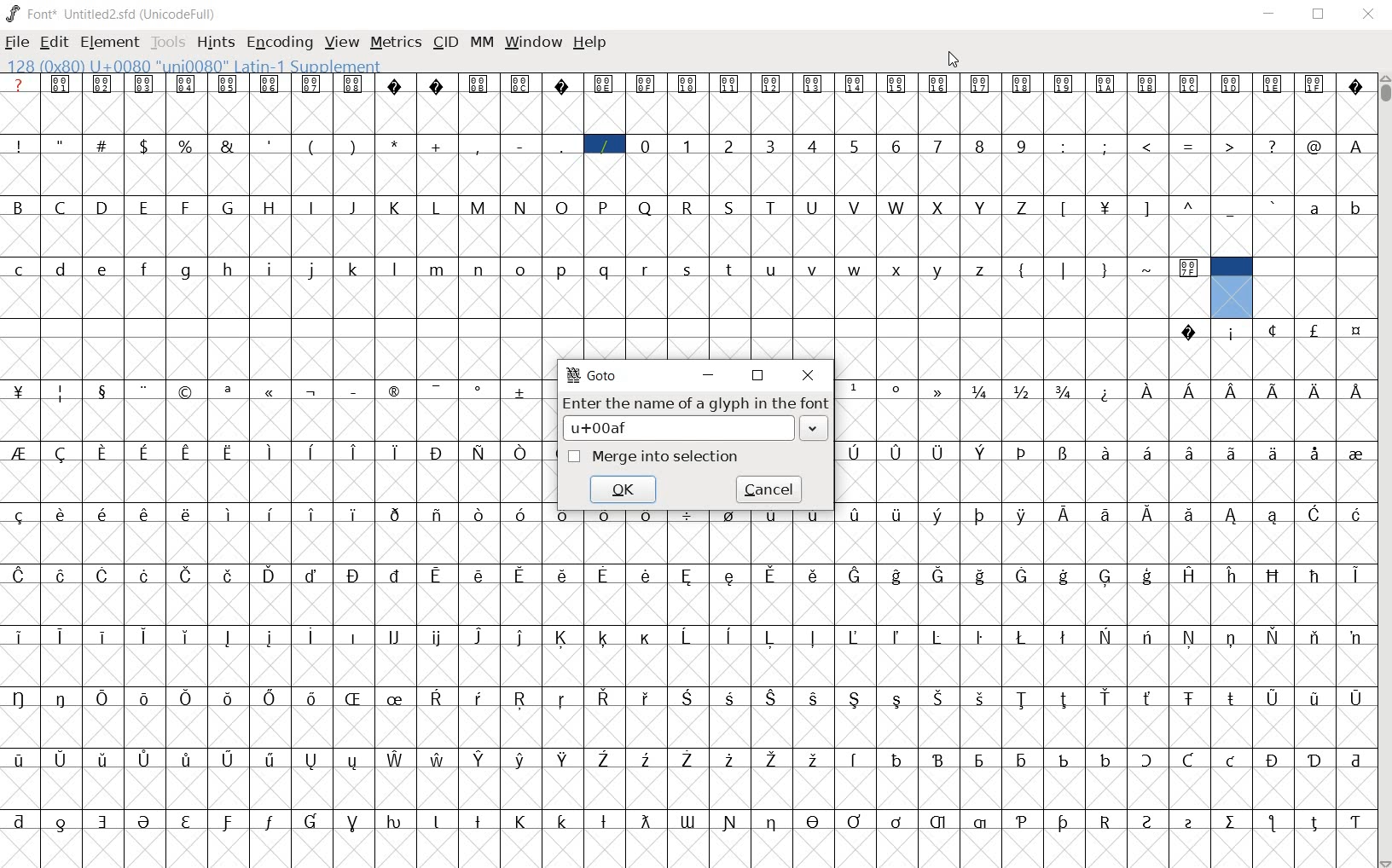 The height and width of the screenshot is (868, 1392). Describe the element at coordinates (896, 697) in the screenshot. I see `Symbol` at that location.